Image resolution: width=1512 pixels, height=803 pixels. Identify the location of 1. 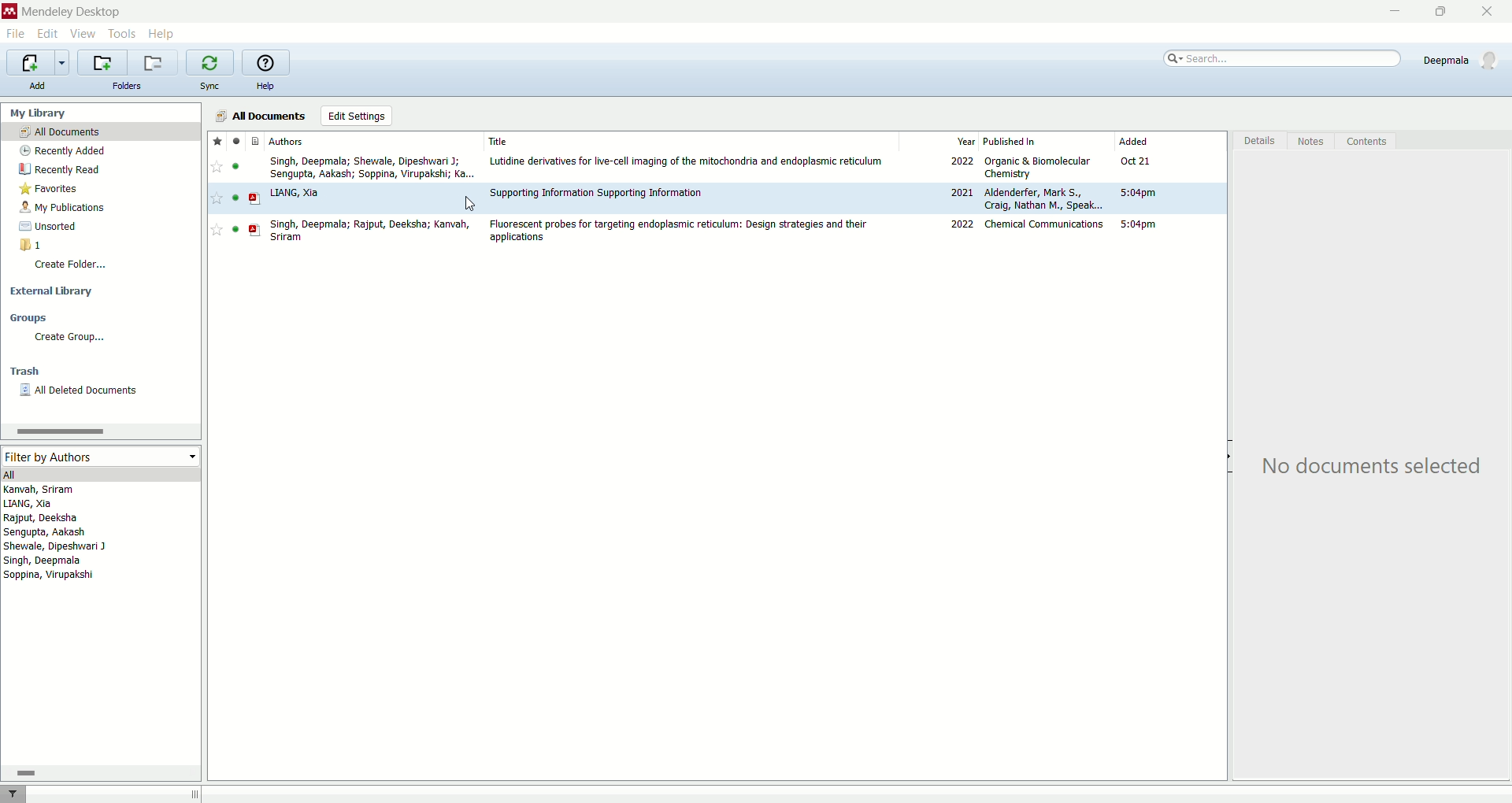
(31, 244).